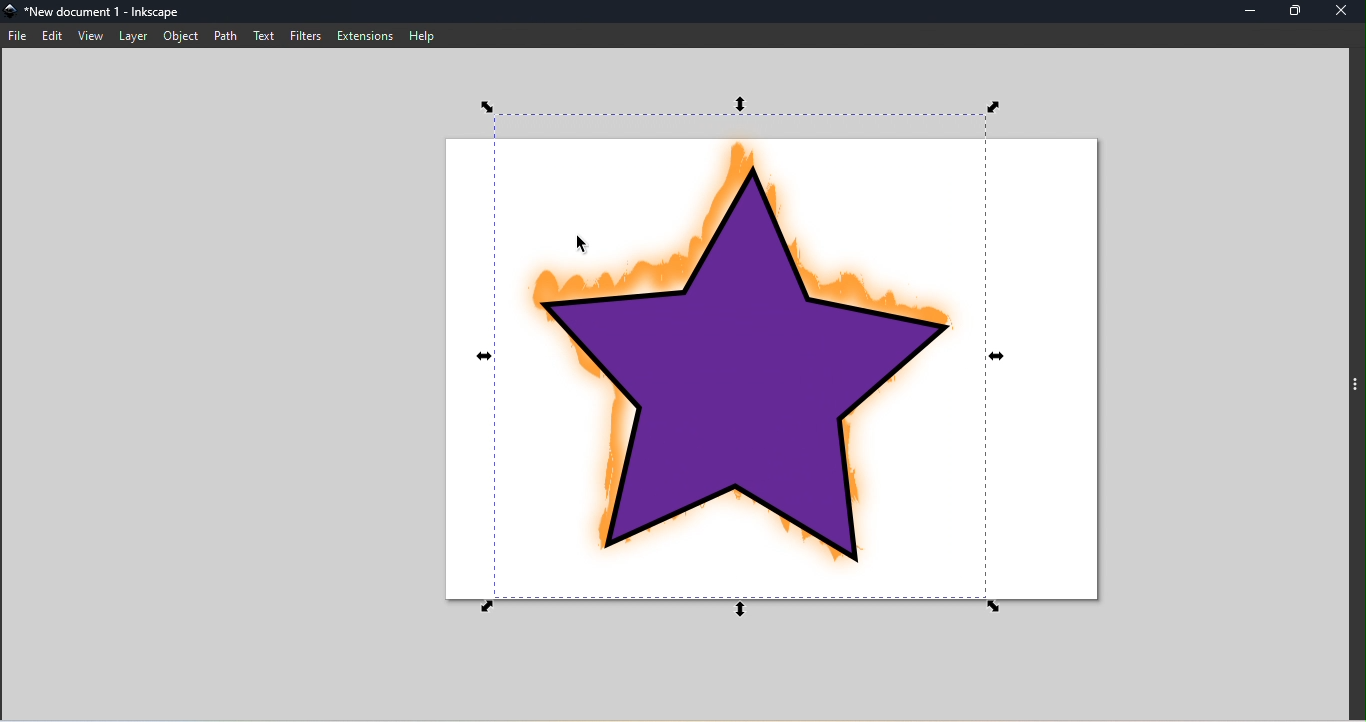  I want to click on toggle command panel, so click(1354, 381).